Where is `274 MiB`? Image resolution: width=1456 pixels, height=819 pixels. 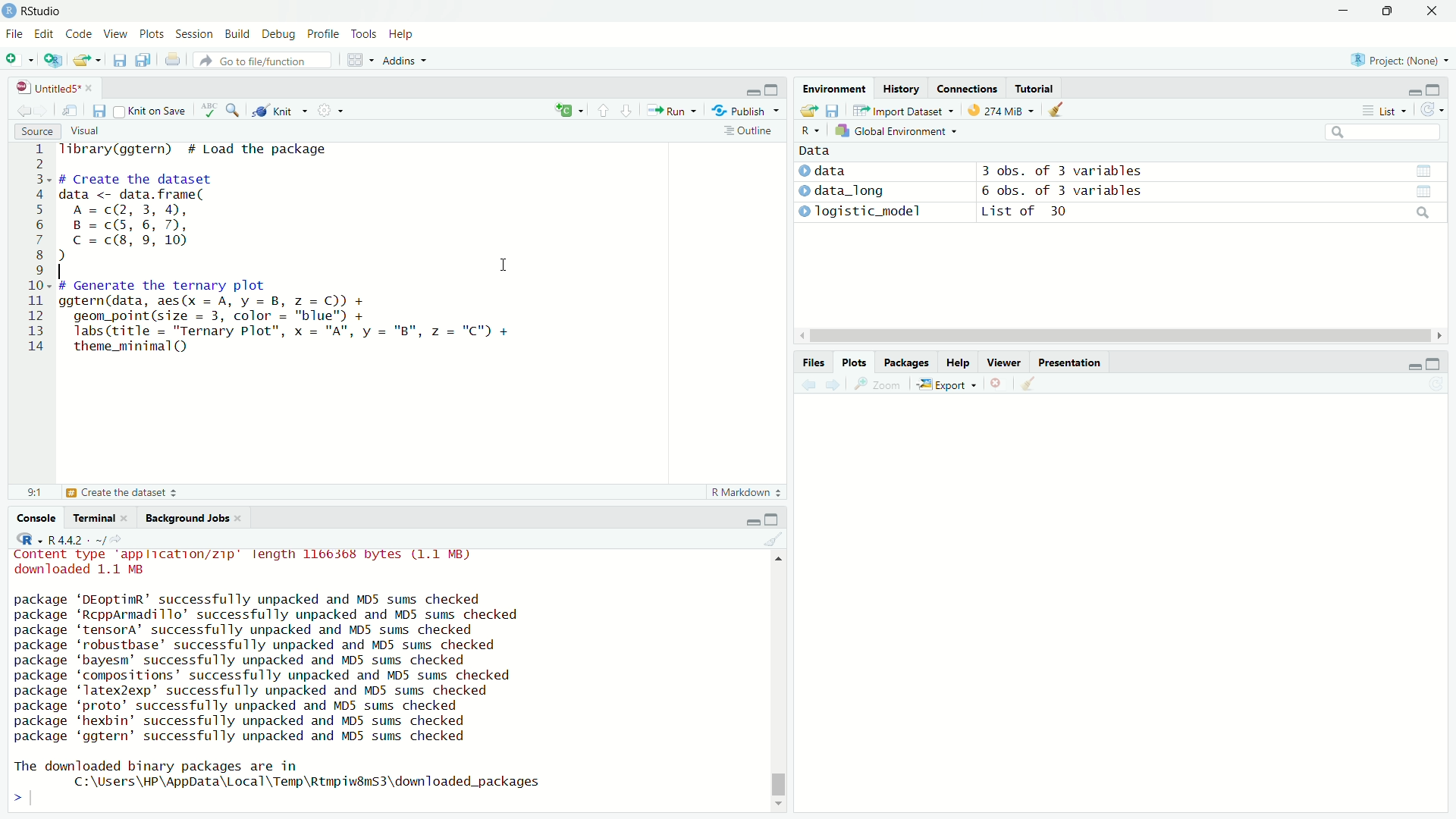
274 MiB is located at coordinates (996, 111).